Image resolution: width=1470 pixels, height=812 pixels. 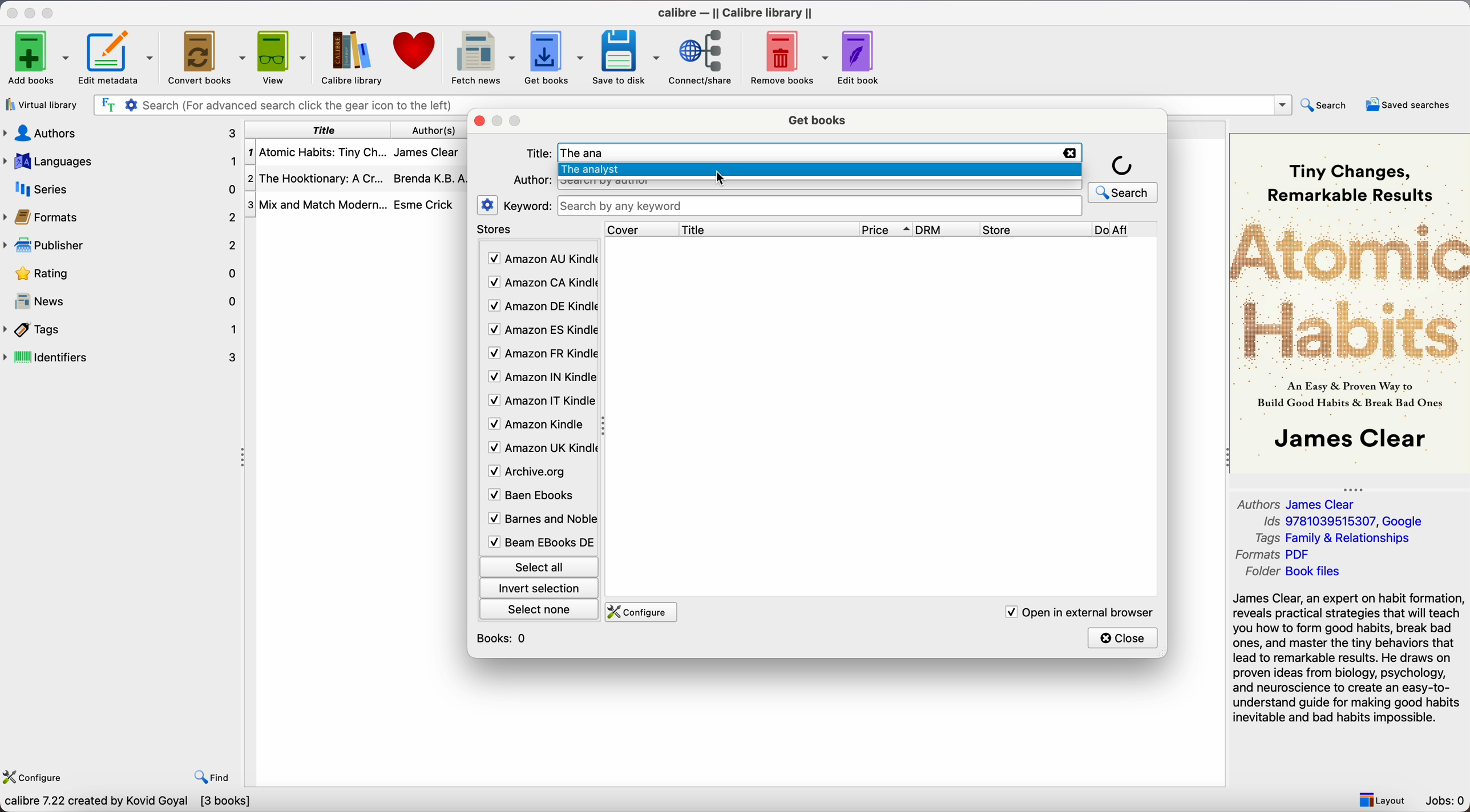 What do you see at coordinates (1447, 802) in the screenshot?
I see `Jobs: 0` at bounding box center [1447, 802].